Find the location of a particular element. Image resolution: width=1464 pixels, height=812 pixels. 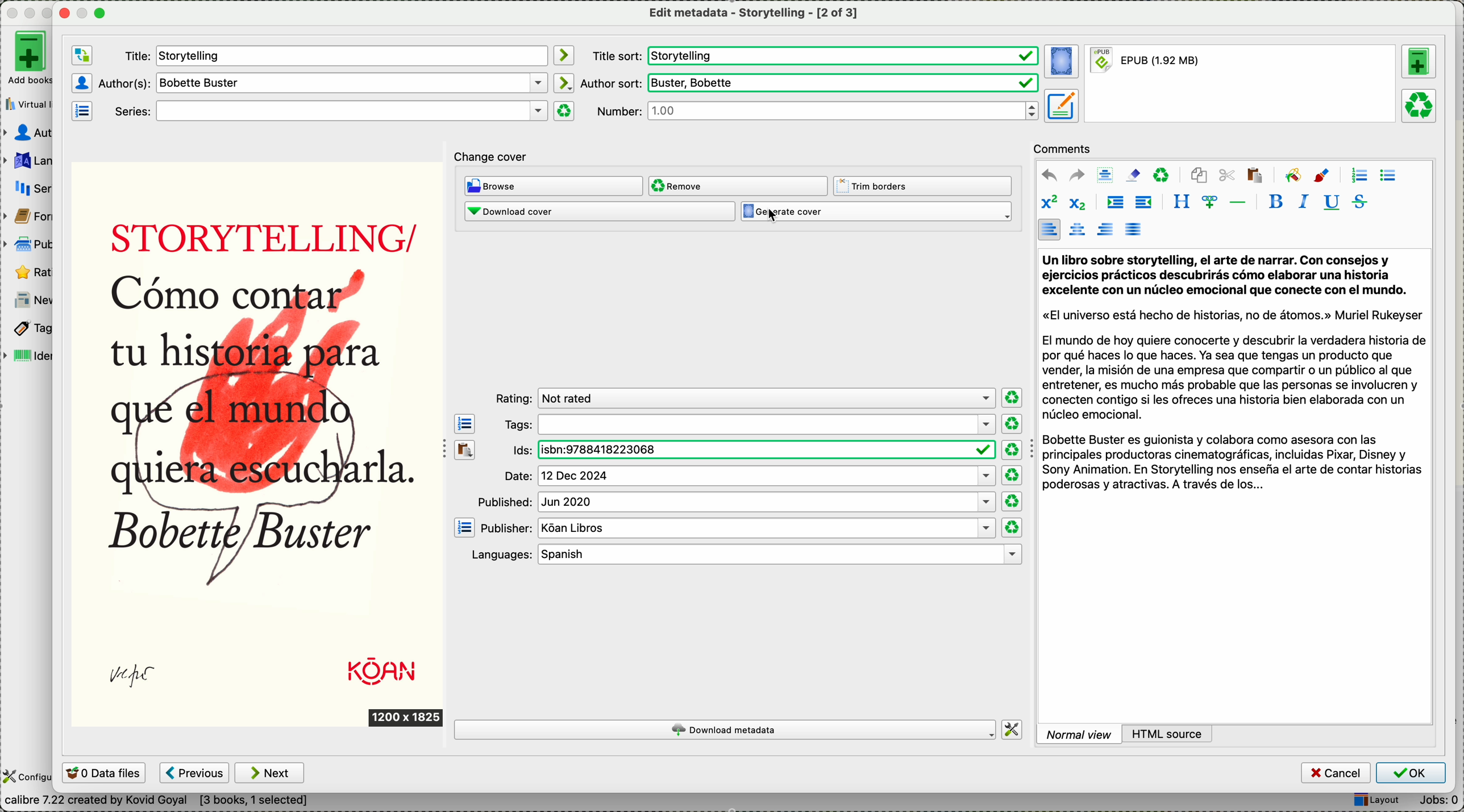

icon is located at coordinates (82, 82).